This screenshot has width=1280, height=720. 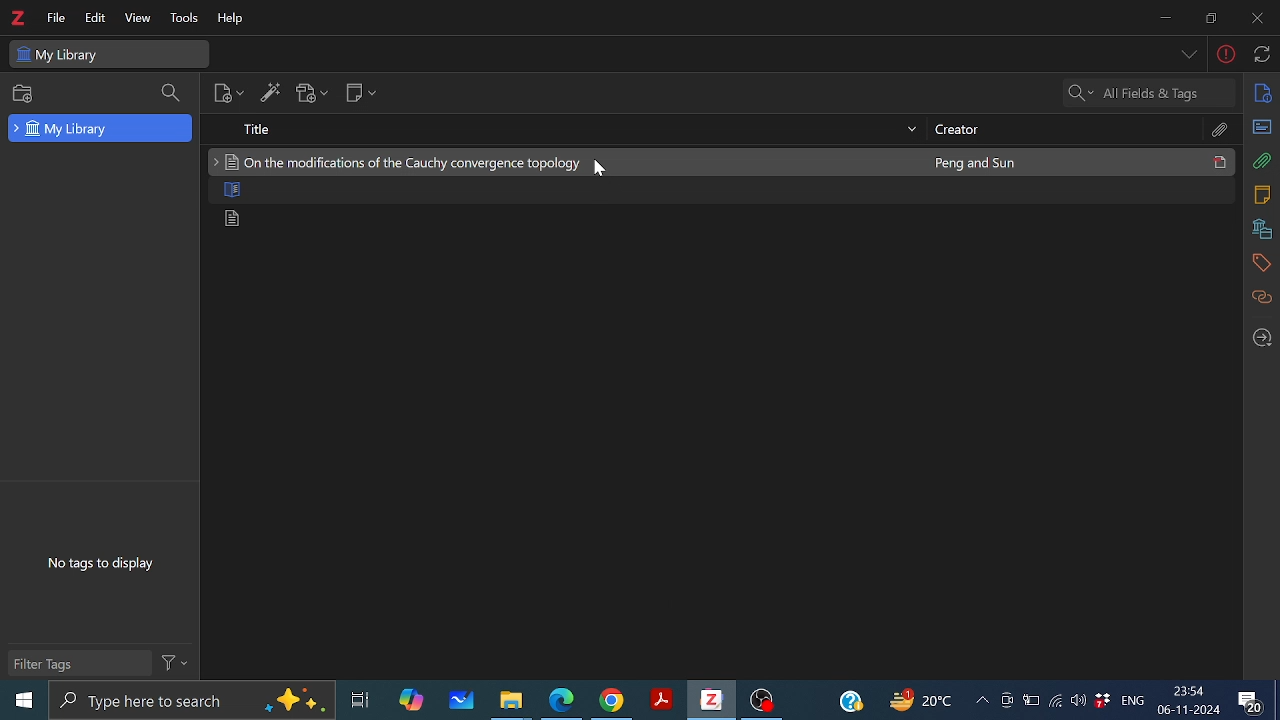 What do you see at coordinates (610, 701) in the screenshot?
I see `Google chorme` at bounding box center [610, 701].